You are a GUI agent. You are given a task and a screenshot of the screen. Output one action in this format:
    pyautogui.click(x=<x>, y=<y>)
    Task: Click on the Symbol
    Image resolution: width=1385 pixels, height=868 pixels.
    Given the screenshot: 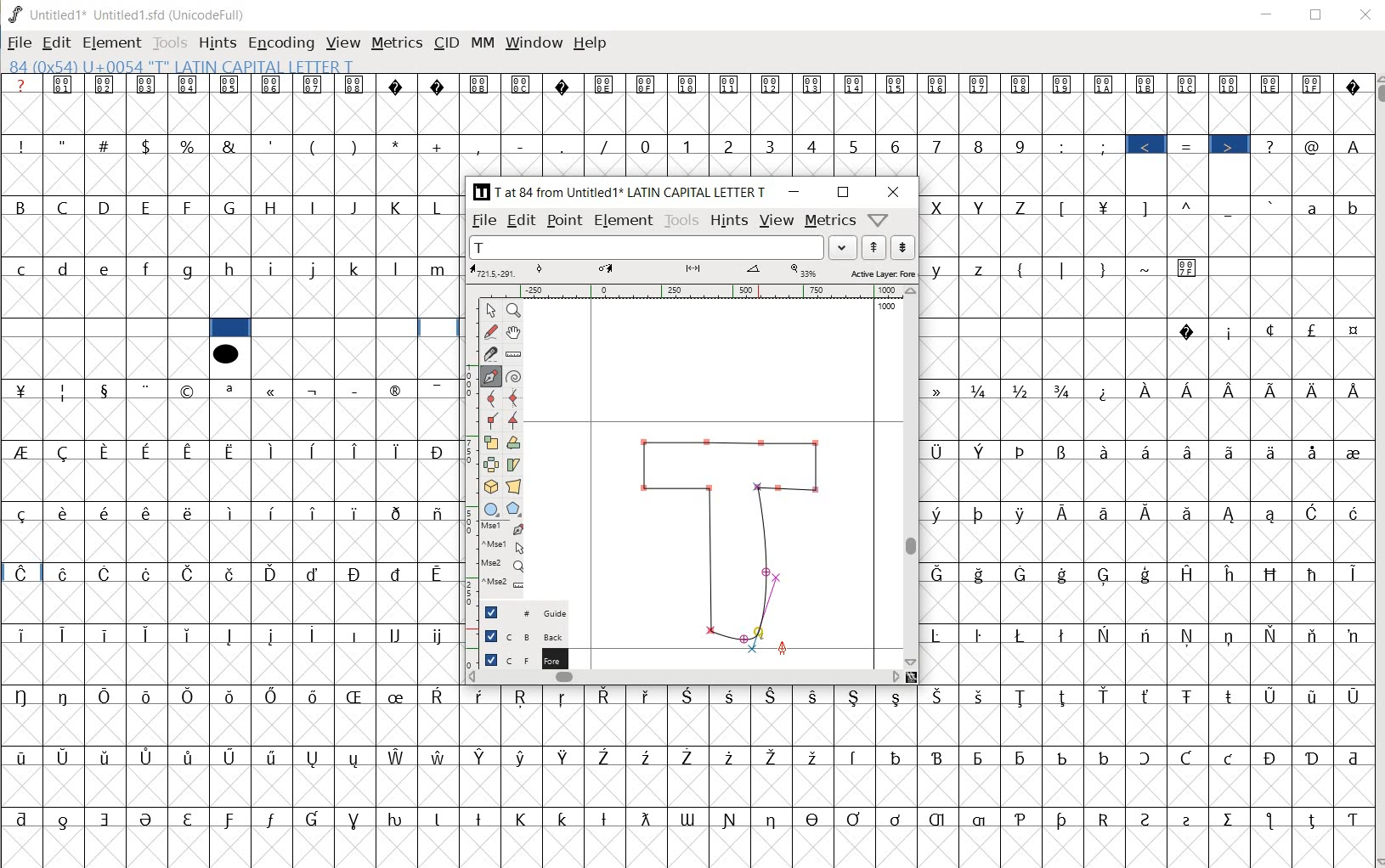 What is the action you would take?
    pyautogui.click(x=1230, y=331)
    